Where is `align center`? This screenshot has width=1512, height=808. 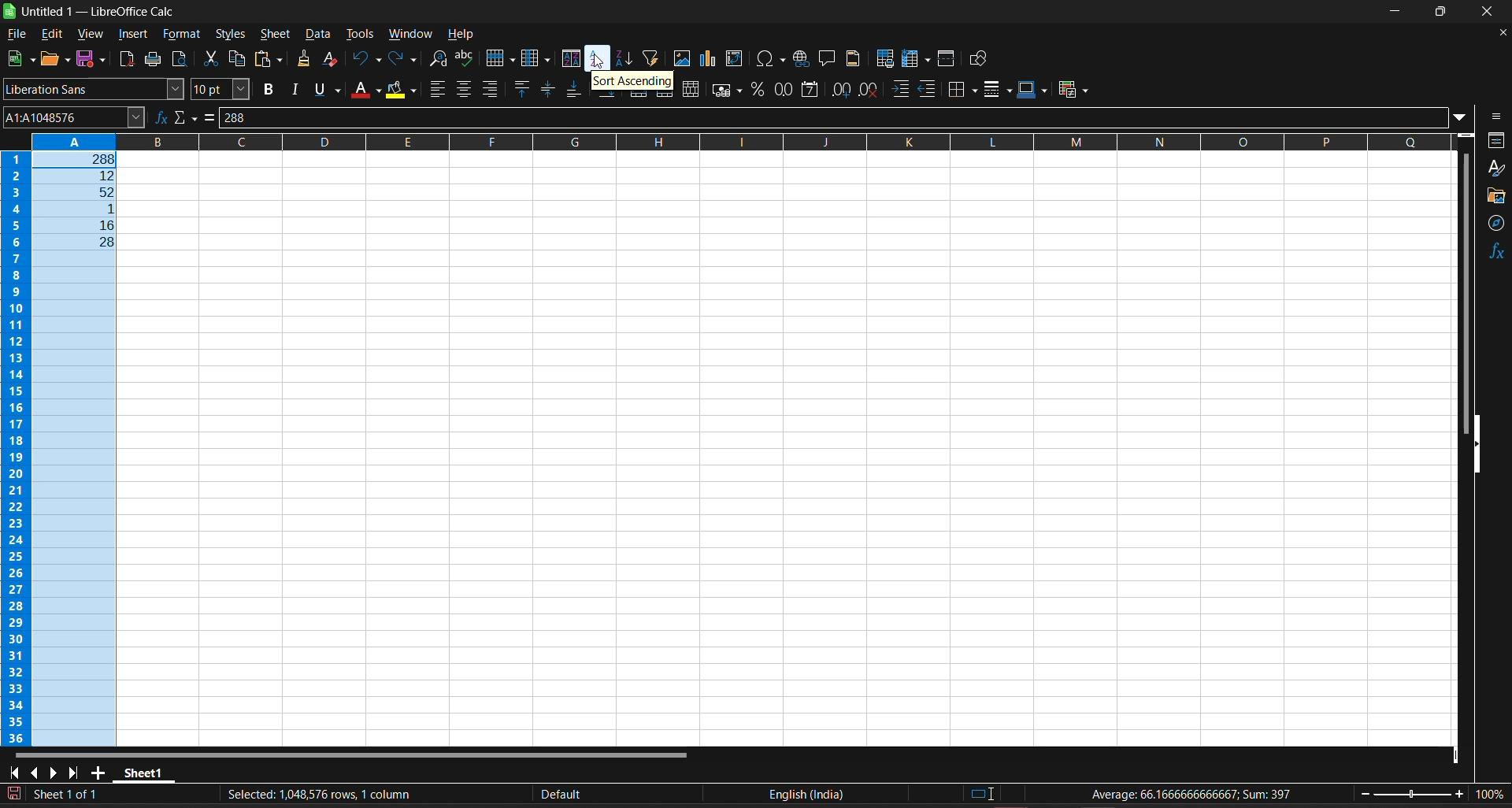
align center is located at coordinates (465, 89).